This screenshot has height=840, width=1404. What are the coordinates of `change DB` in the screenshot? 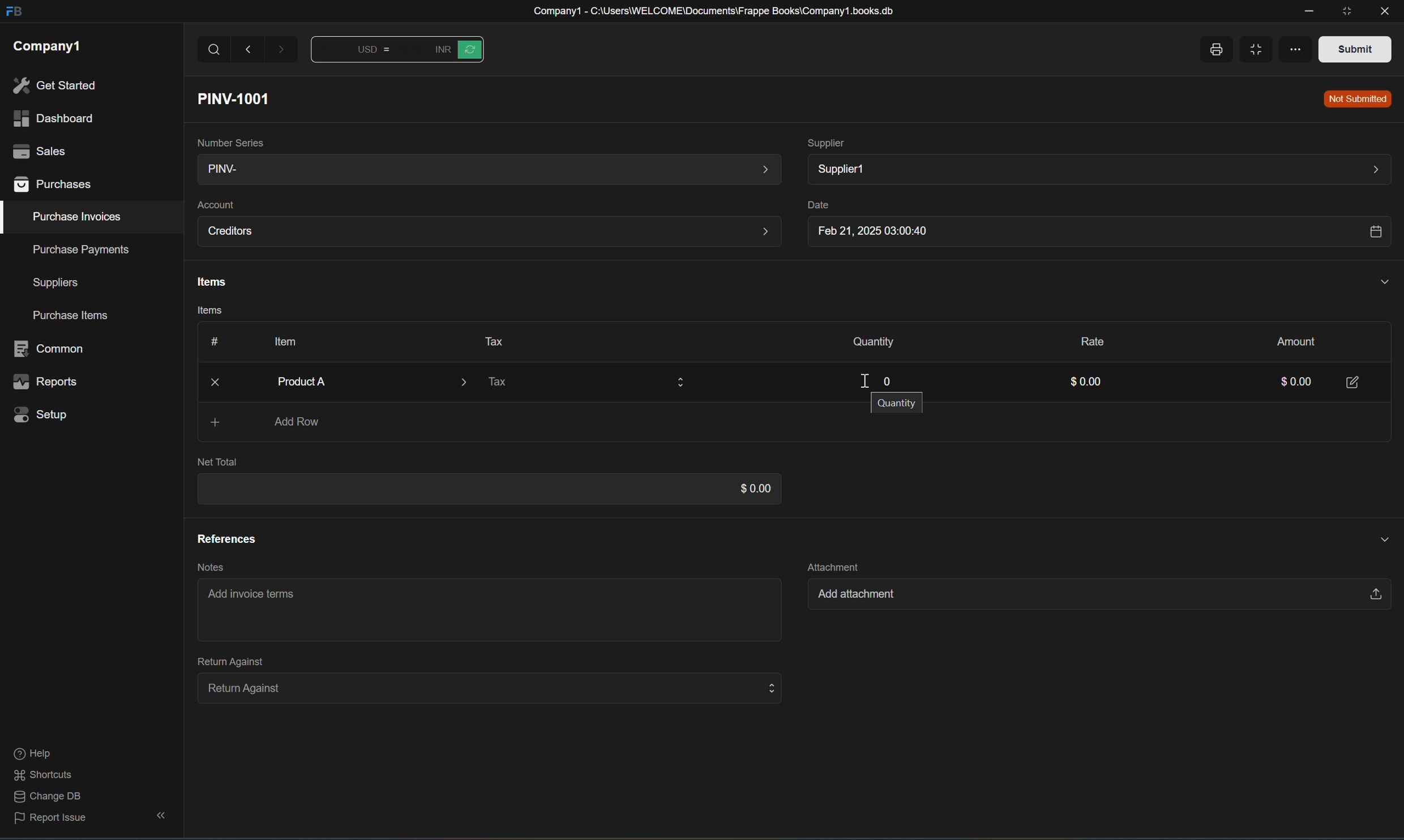 It's located at (44, 798).